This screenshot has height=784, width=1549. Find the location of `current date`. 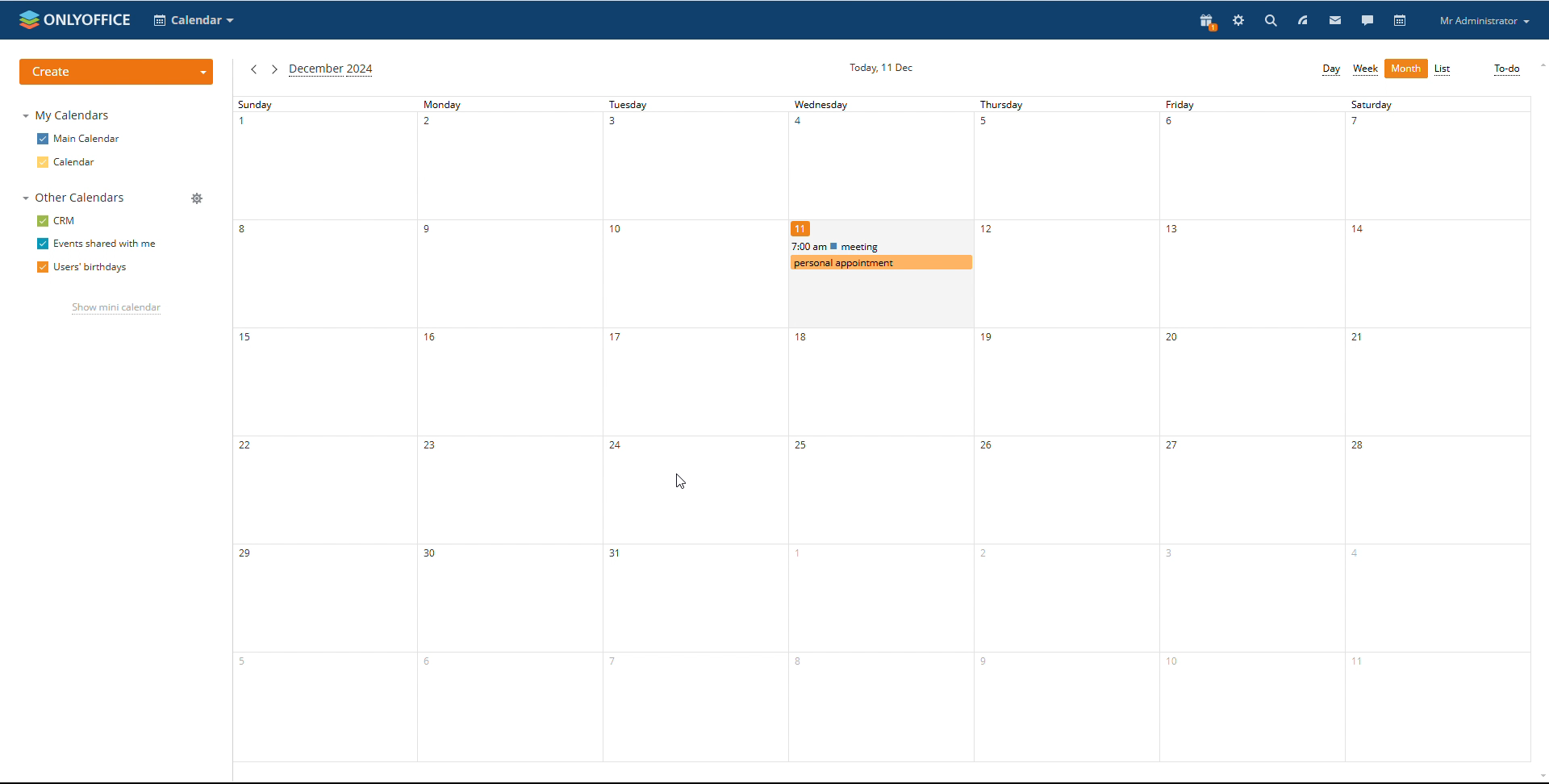

current date is located at coordinates (880, 68).